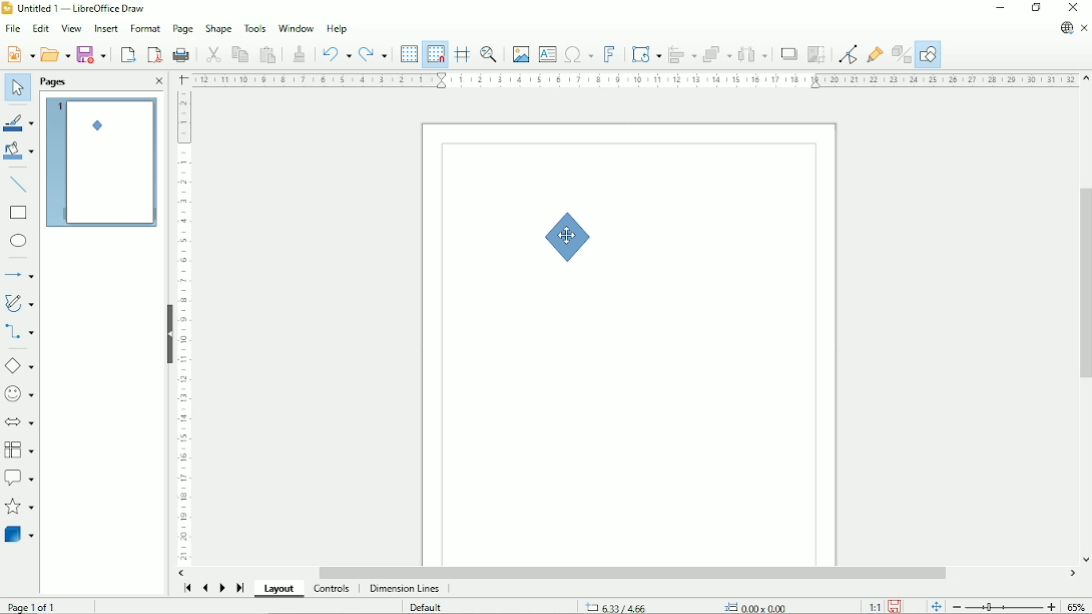  I want to click on Scaling factor, so click(874, 606).